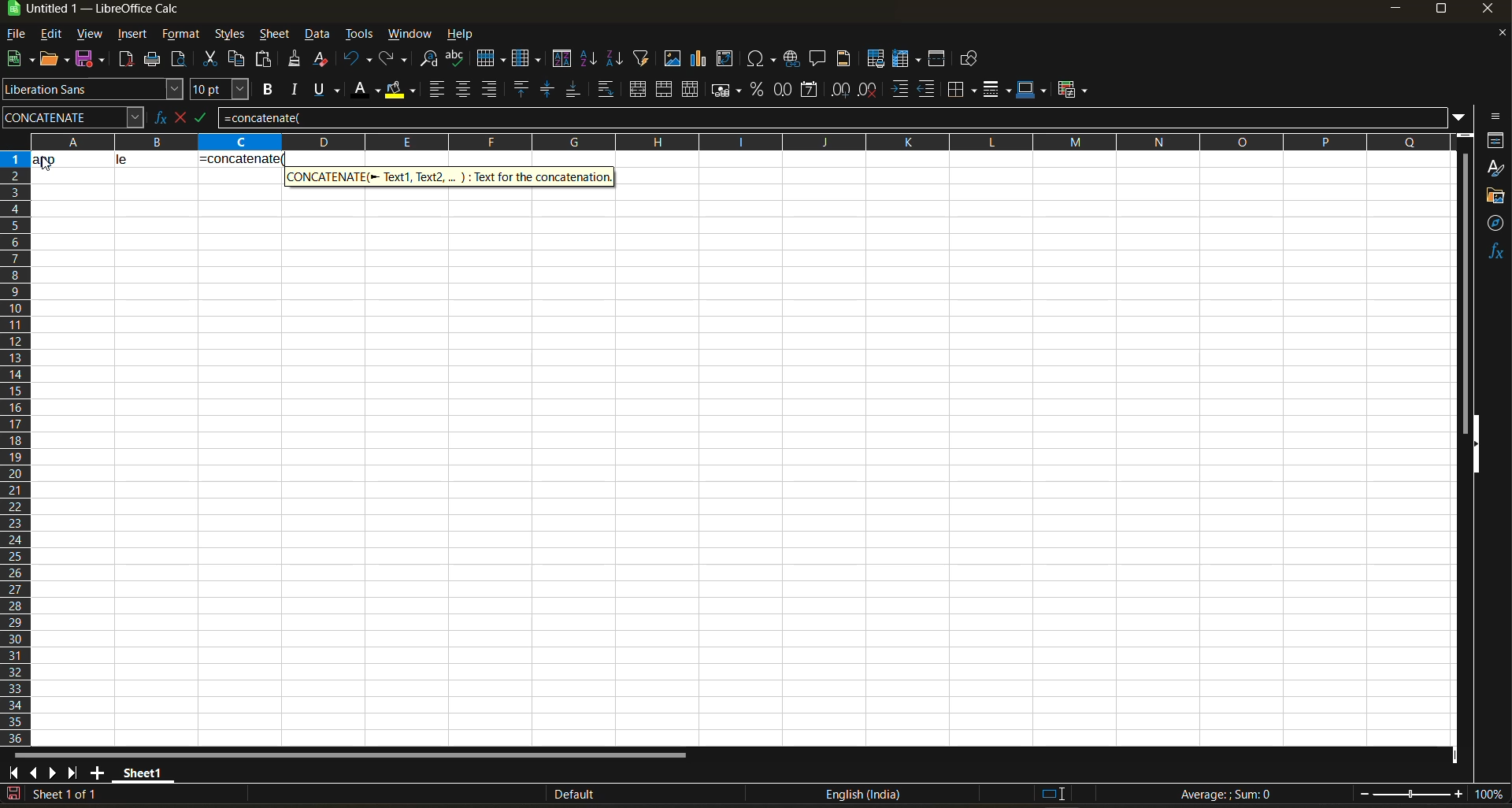 The height and width of the screenshot is (808, 1512). Describe the element at coordinates (1492, 795) in the screenshot. I see `zoom factor` at that location.